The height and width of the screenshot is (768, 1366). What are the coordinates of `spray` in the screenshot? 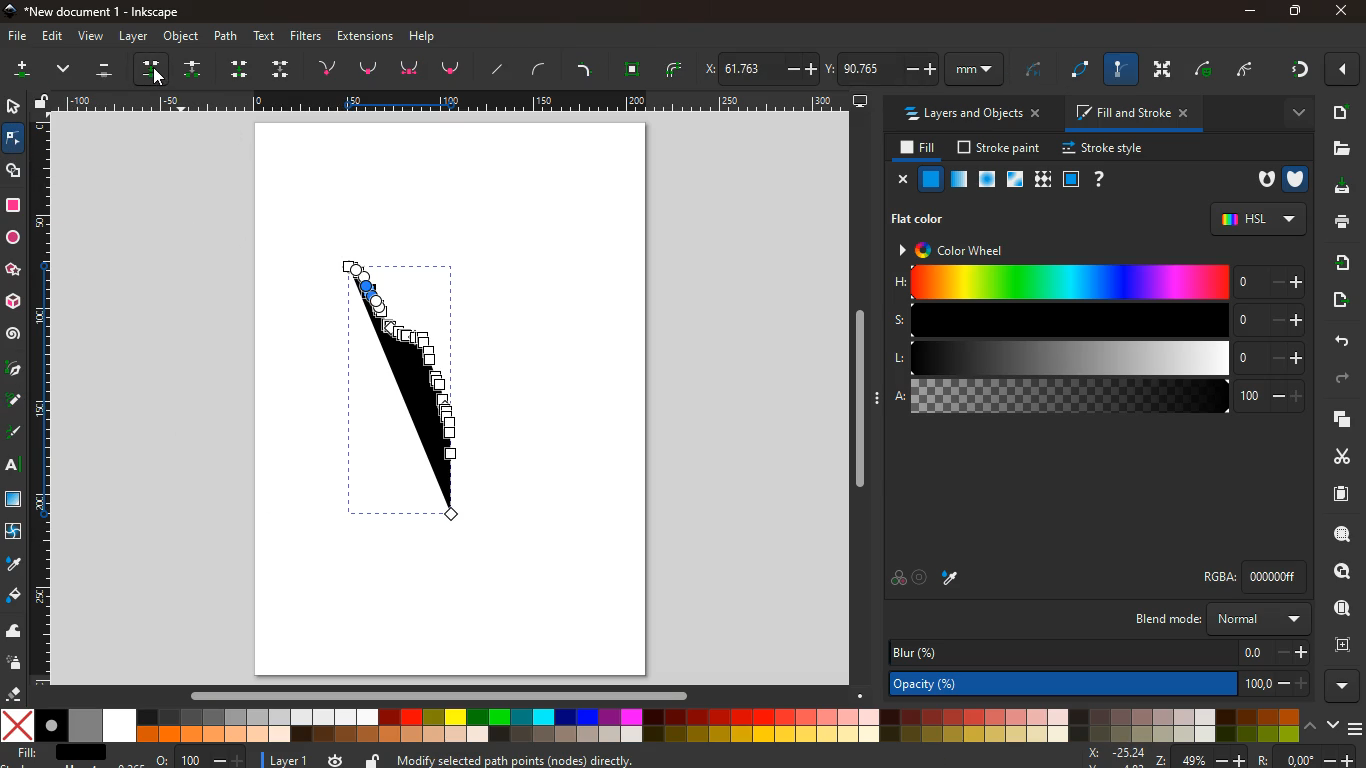 It's located at (18, 663).